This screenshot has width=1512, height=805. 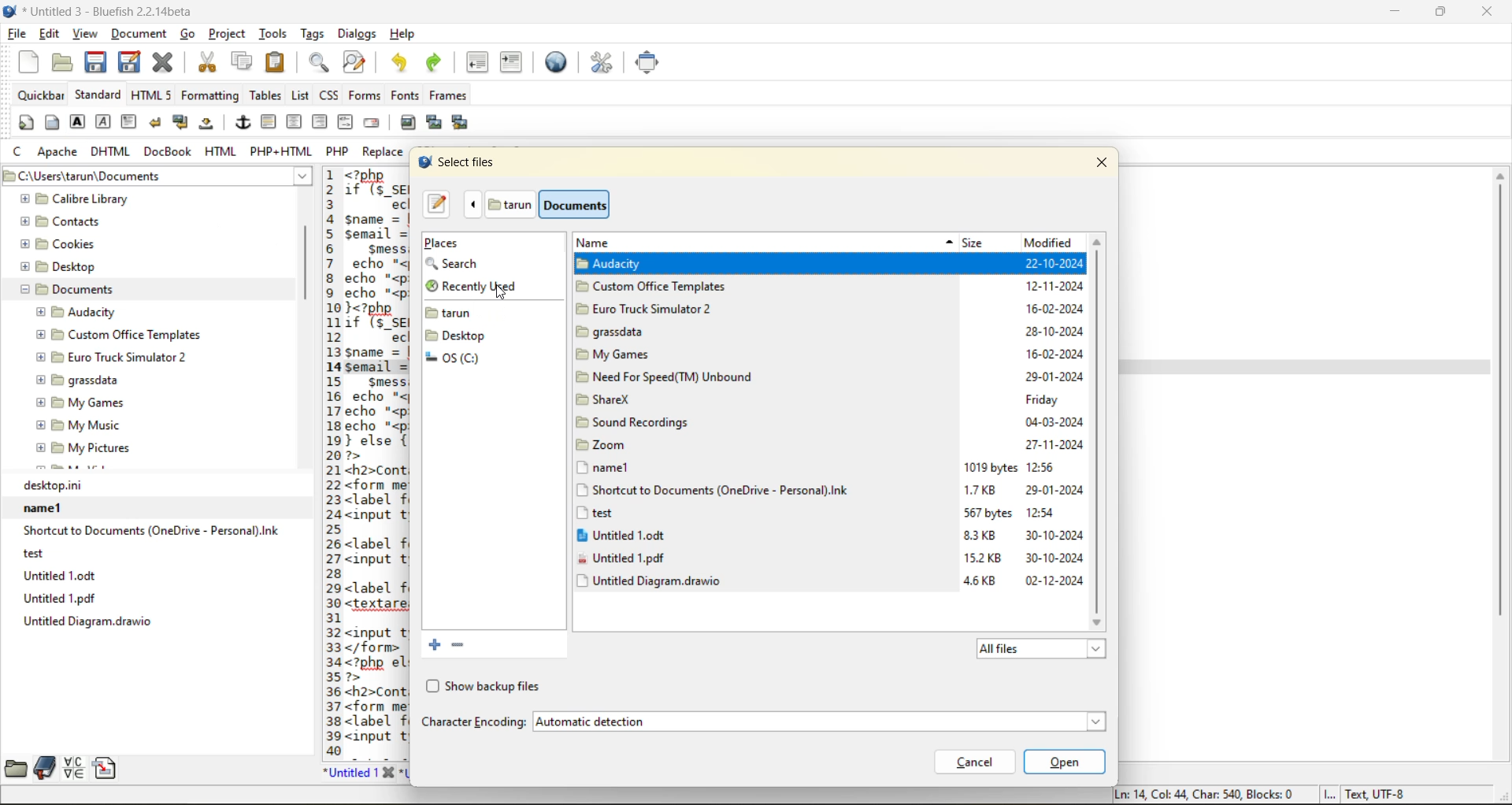 What do you see at coordinates (1442, 14) in the screenshot?
I see `maximize` at bounding box center [1442, 14].